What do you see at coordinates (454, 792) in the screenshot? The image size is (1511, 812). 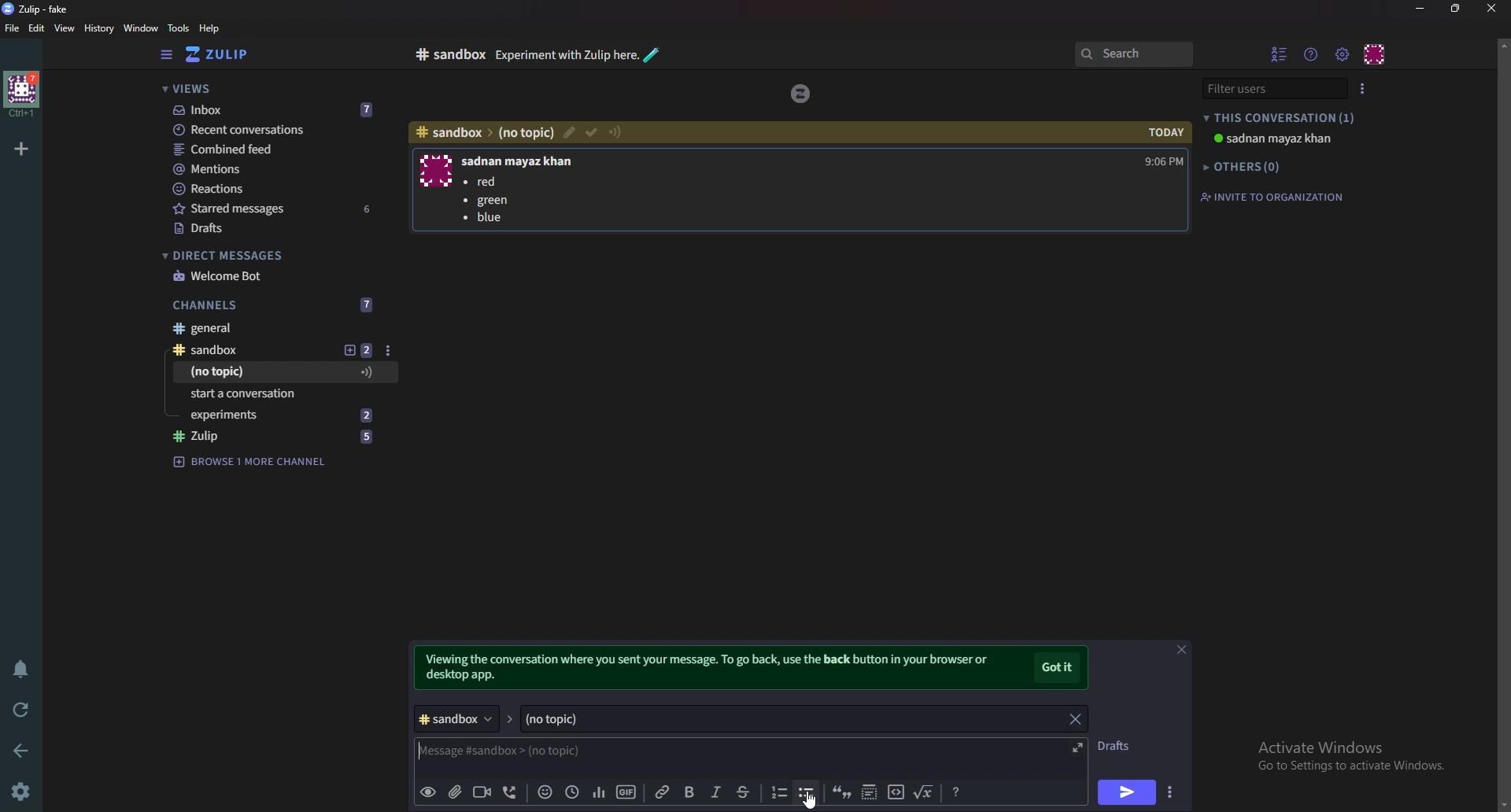 I see `add file` at bounding box center [454, 792].